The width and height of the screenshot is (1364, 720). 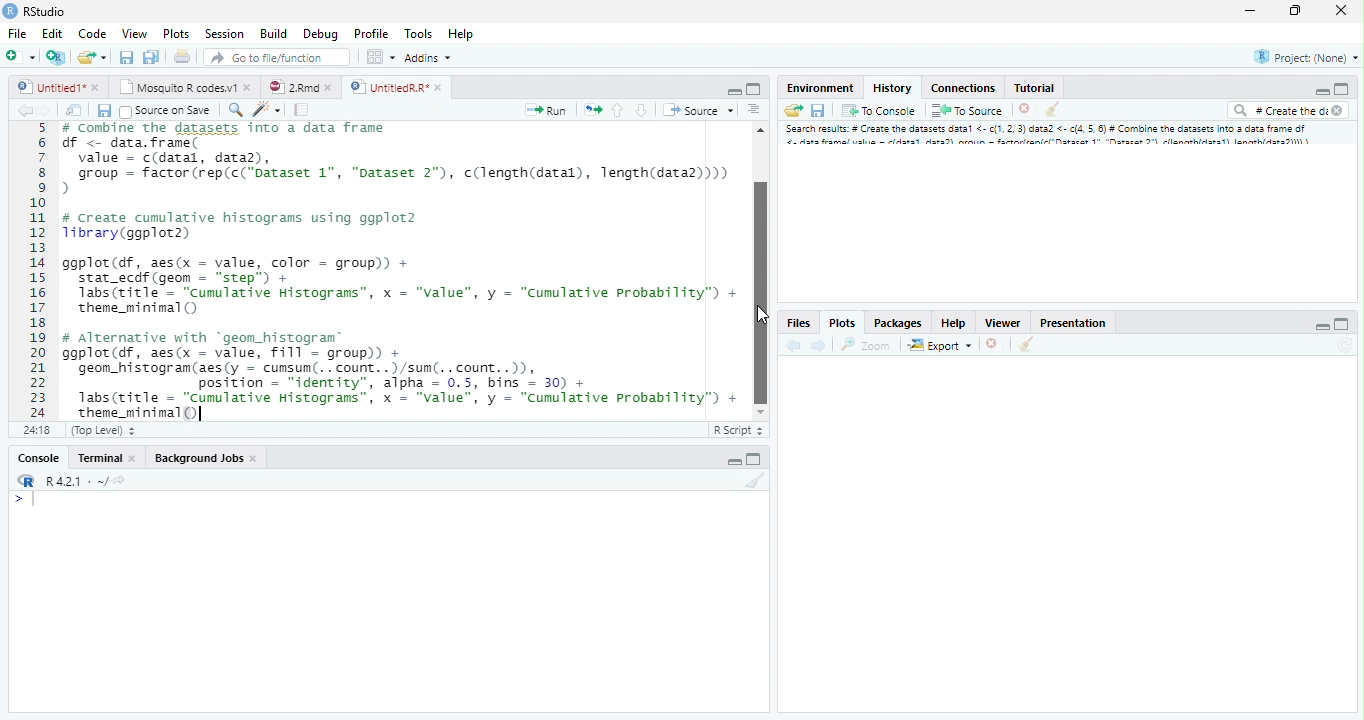 What do you see at coordinates (105, 428) in the screenshot?
I see `Top level` at bounding box center [105, 428].